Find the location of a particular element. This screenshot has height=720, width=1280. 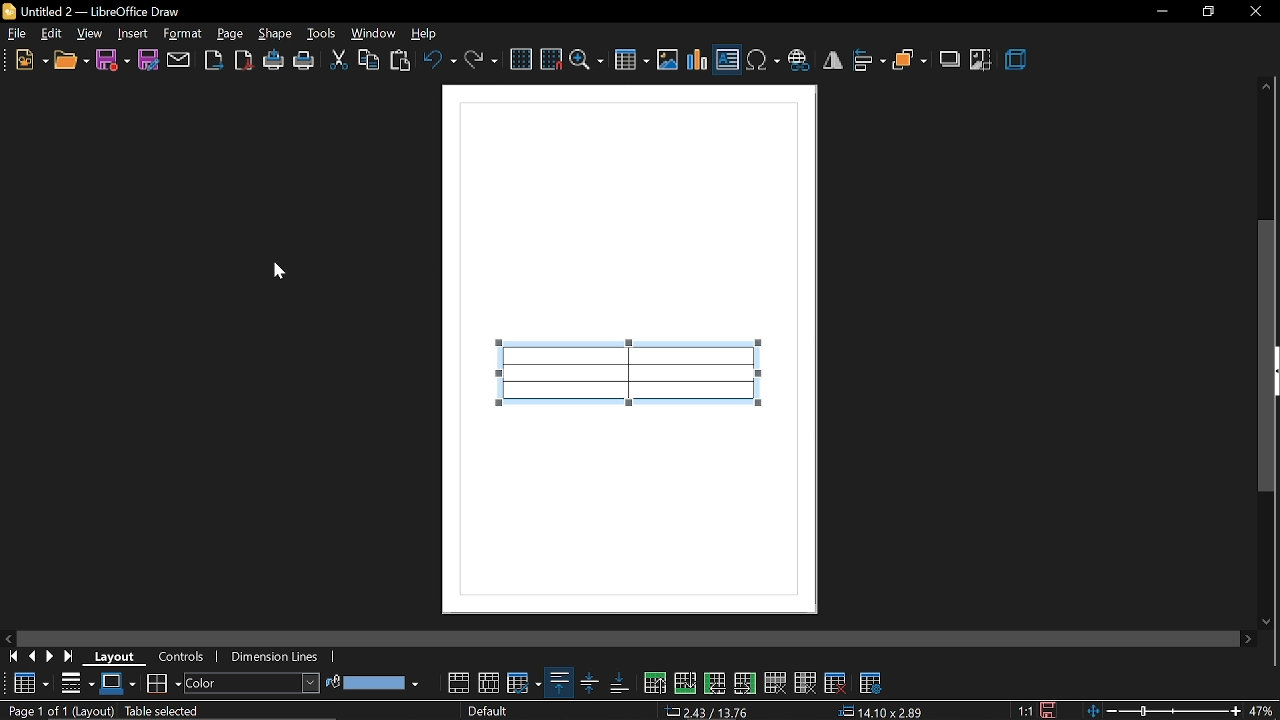

help is located at coordinates (422, 34).